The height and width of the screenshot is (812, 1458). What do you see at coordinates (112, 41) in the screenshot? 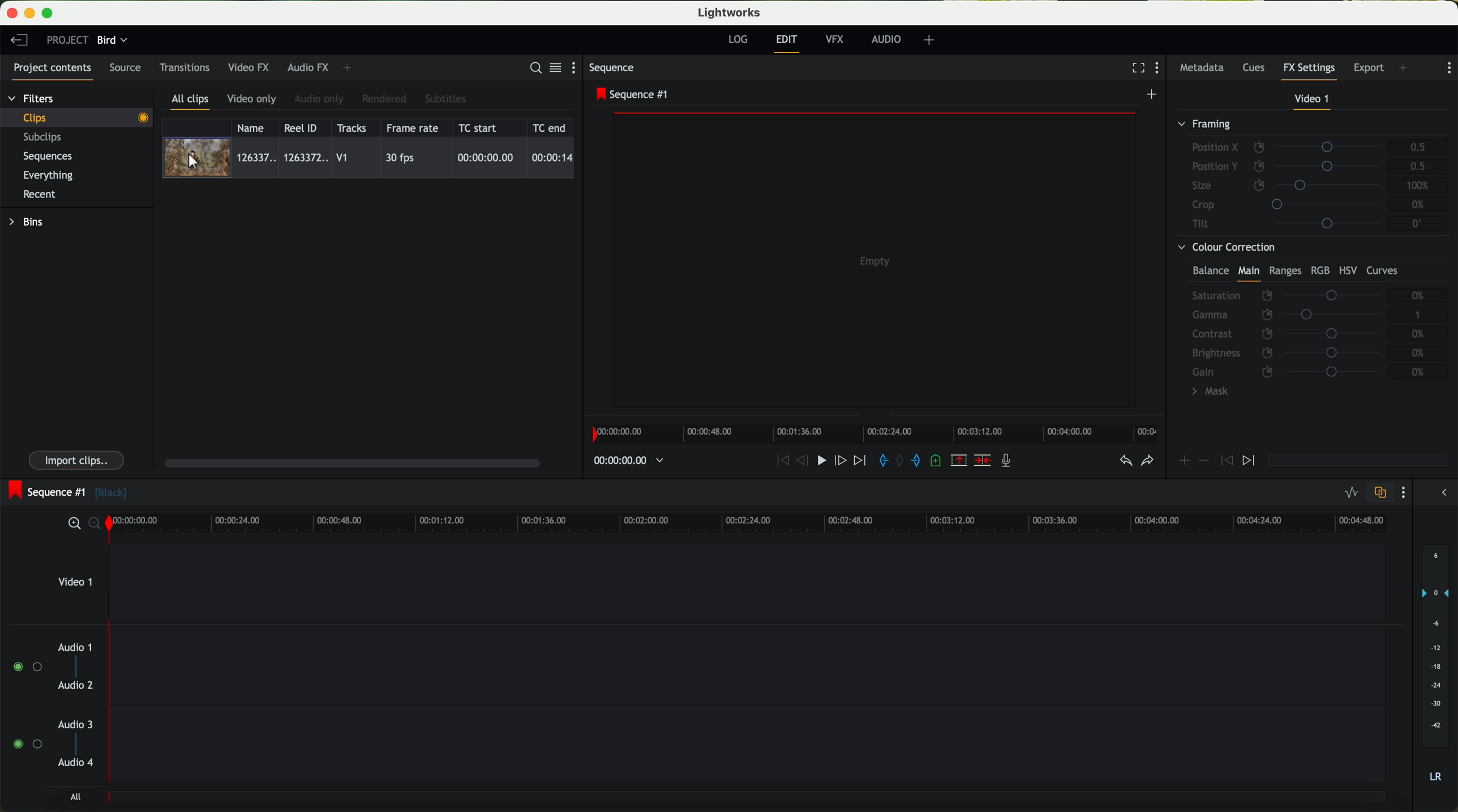
I see `bird` at bounding box center [112, 41].